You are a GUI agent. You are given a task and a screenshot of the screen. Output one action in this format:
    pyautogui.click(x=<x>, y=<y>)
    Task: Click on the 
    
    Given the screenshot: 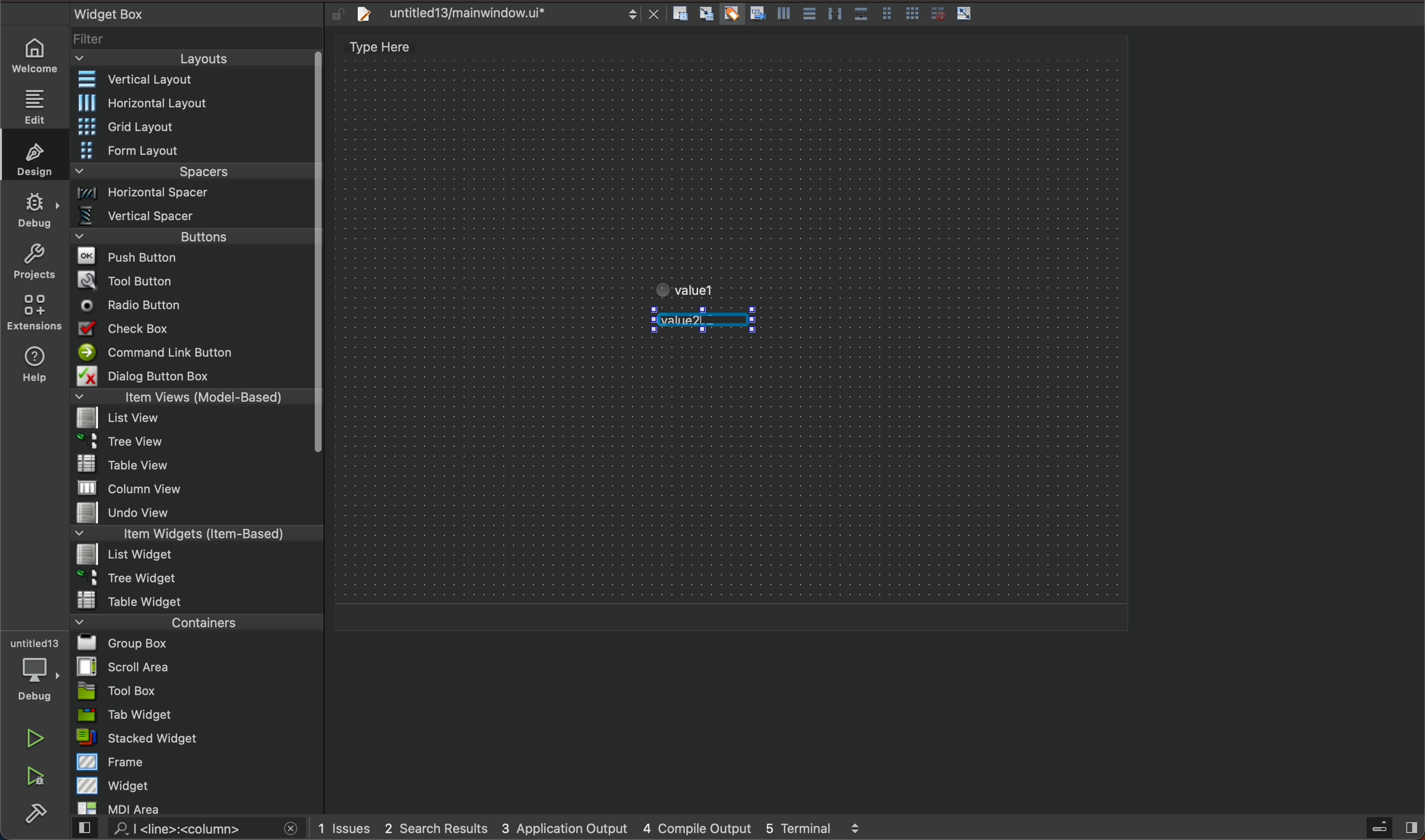 What is the action you would take?
    pyautogui.click(x=808, y=15)
    